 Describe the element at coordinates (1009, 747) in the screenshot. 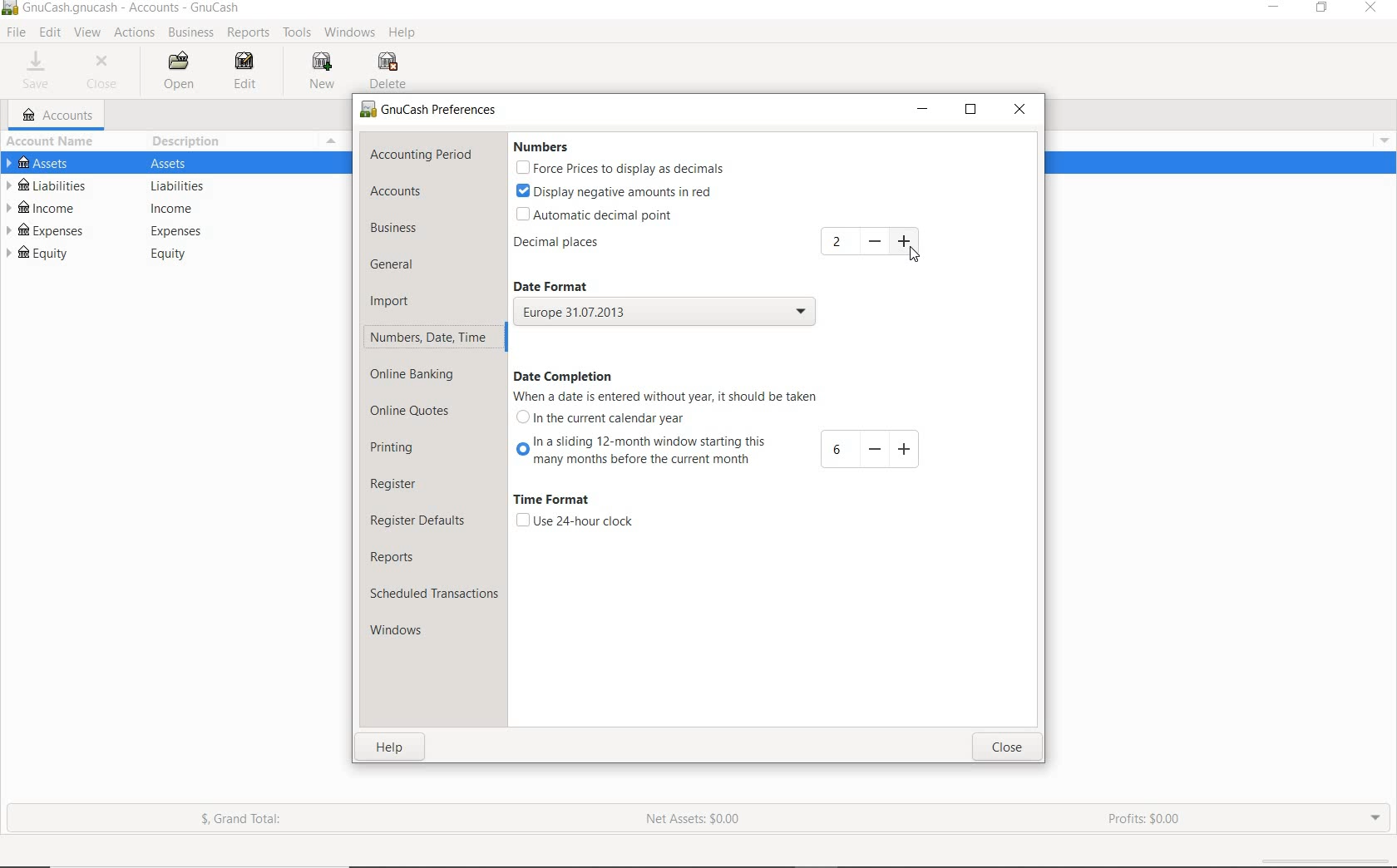

I see `lose` at that location.